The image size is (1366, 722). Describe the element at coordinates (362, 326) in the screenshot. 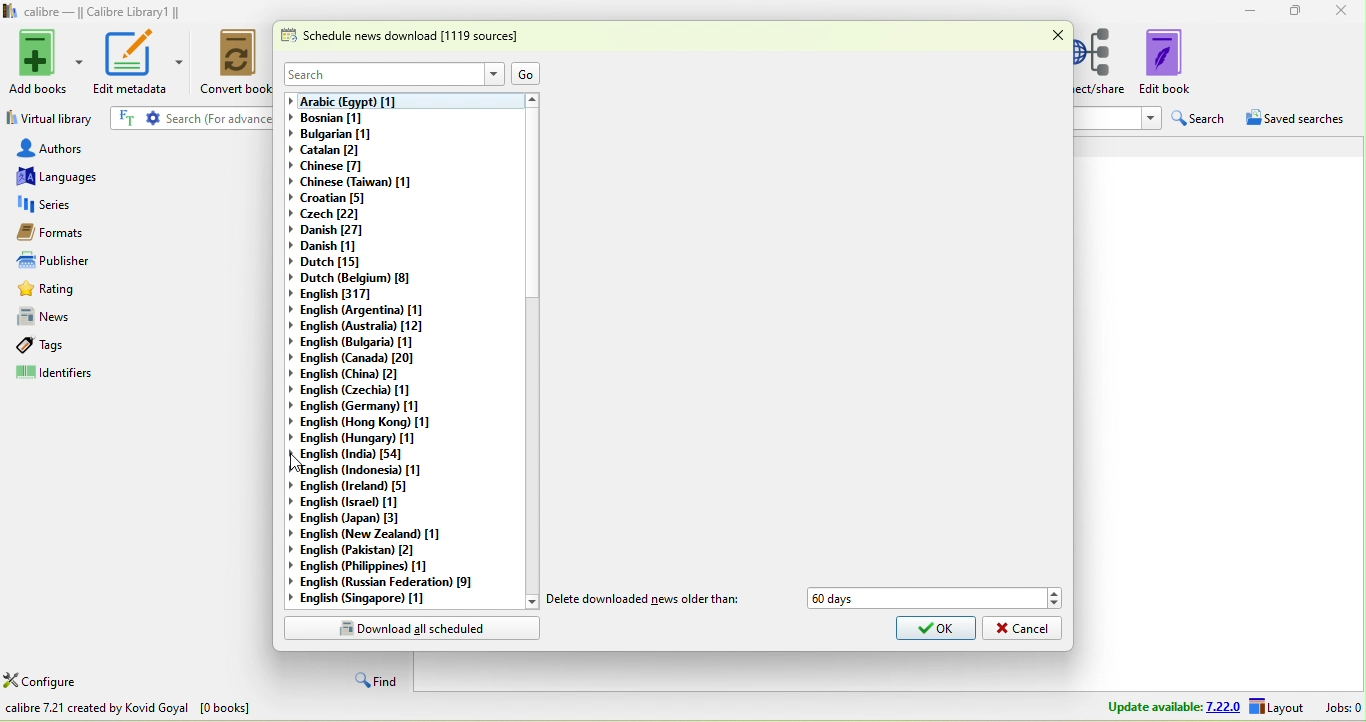

I see `english (australia)[12]` at that location.